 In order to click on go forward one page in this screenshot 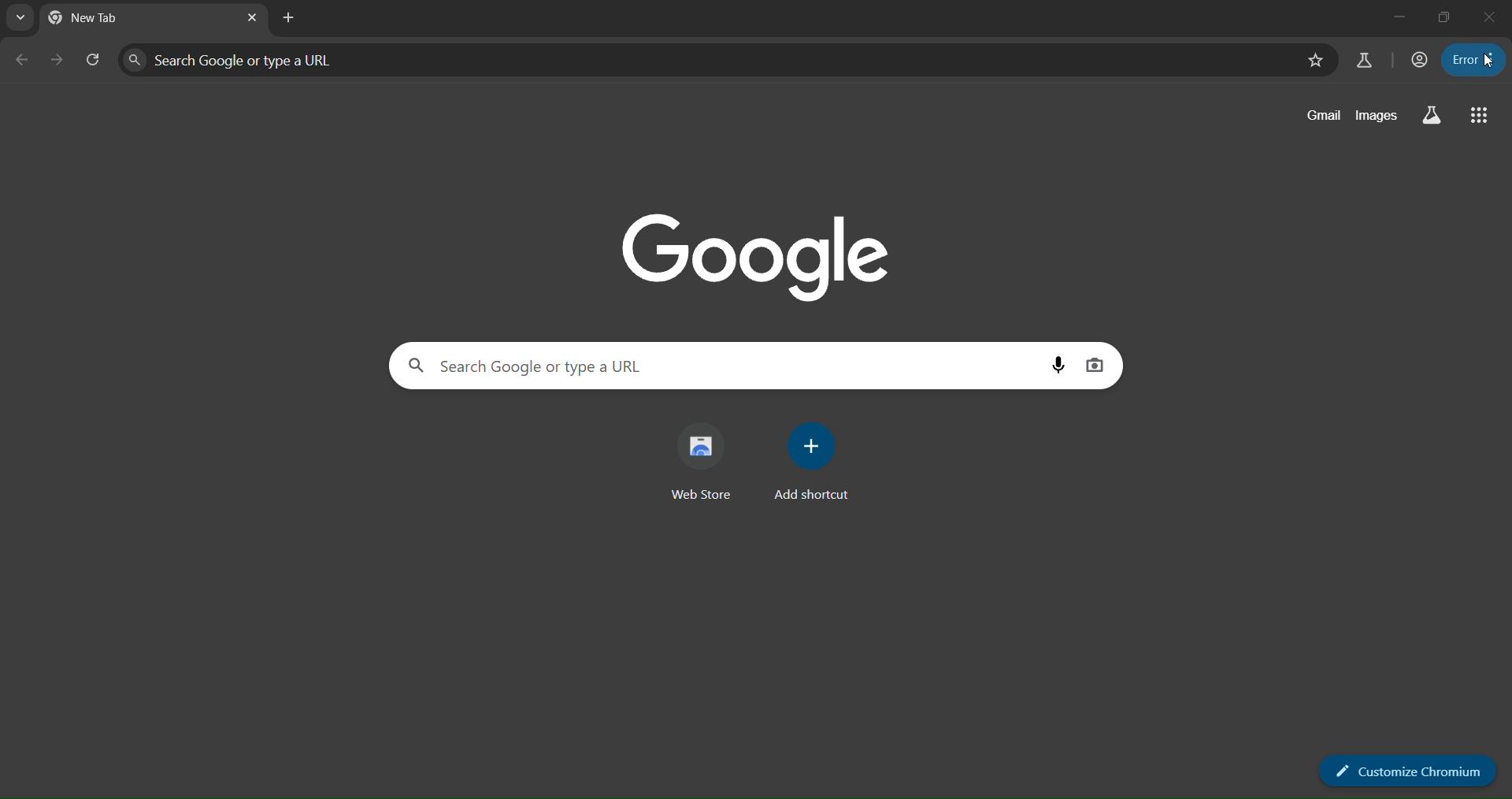, I will do `click(58, 59)`.